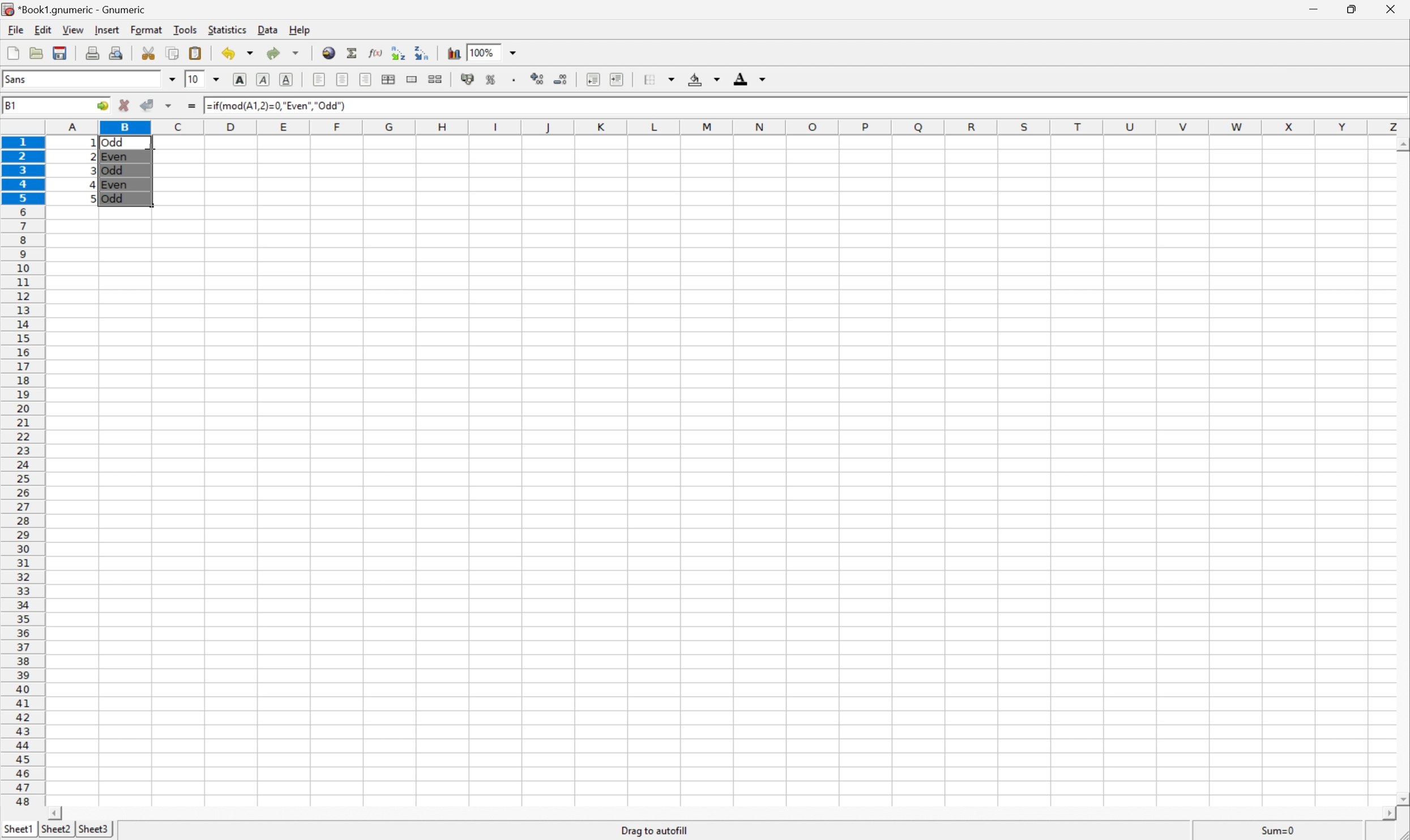 The image size is (1410, 840). What do you see at coordinates (261, 80) in the screenshot?
I see `Italic` at bounding box center [261, 80].